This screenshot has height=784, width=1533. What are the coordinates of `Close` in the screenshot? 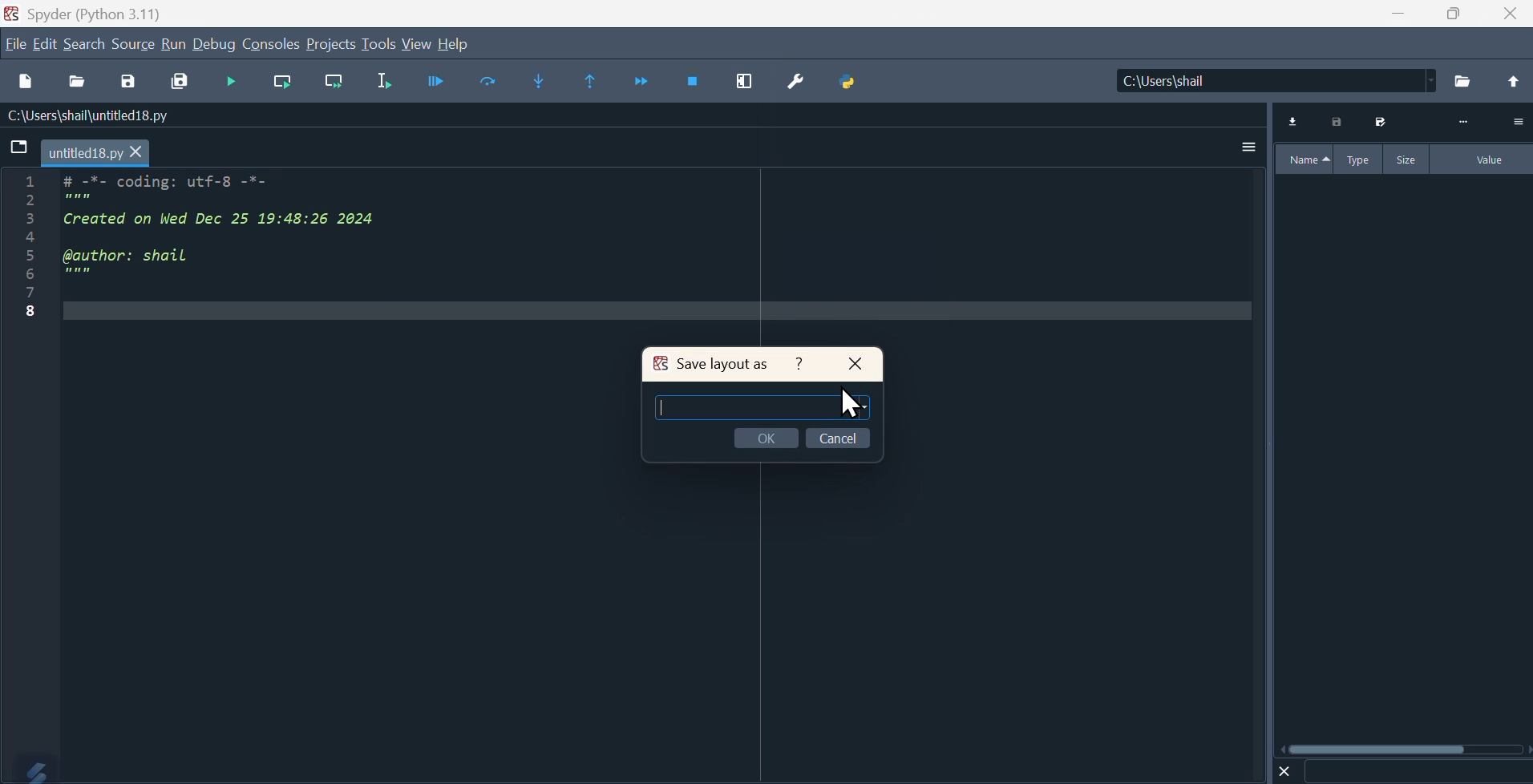 It's located at (855, 365).